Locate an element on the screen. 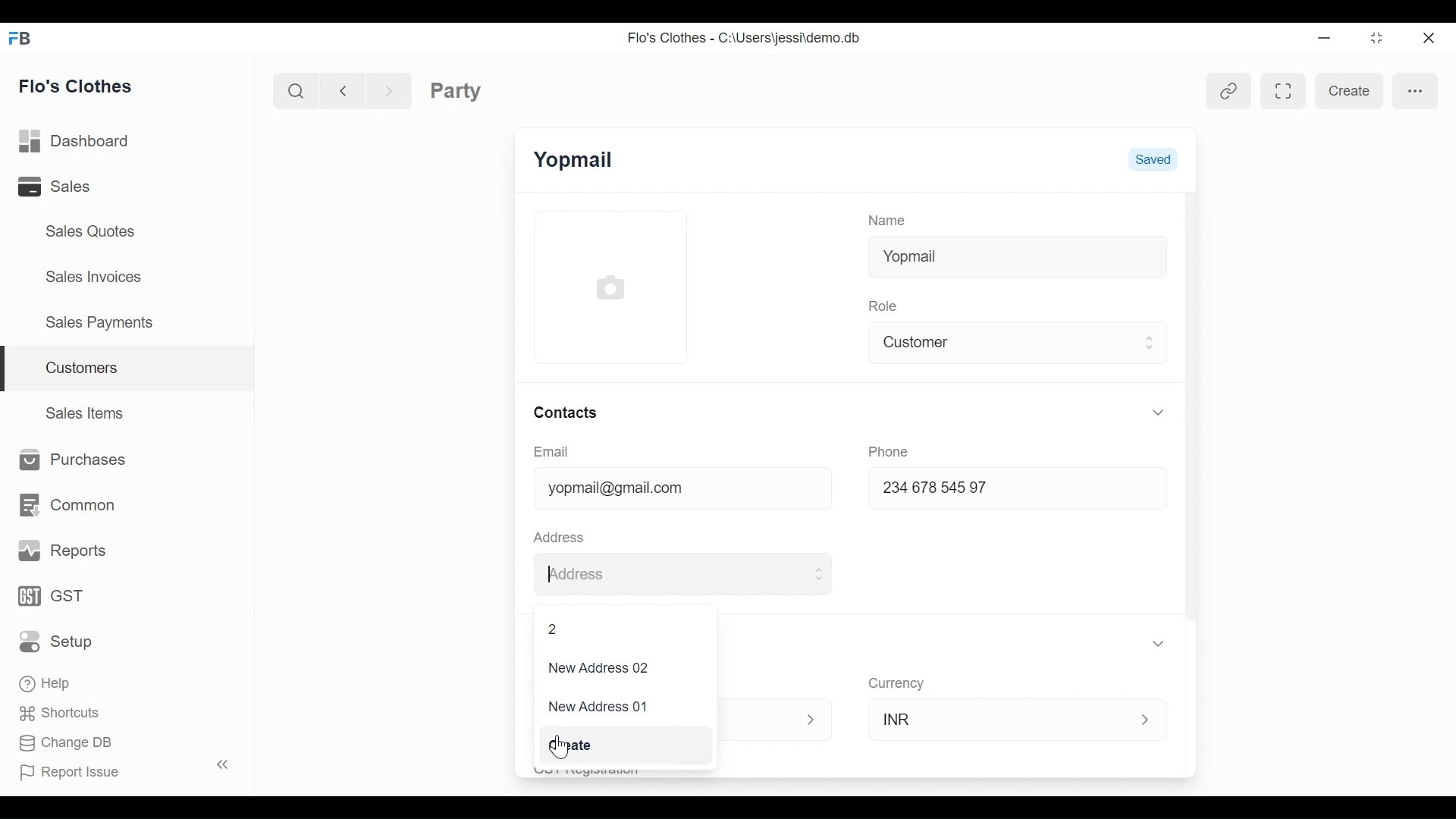  Expand is located at coordinates (812, 718).